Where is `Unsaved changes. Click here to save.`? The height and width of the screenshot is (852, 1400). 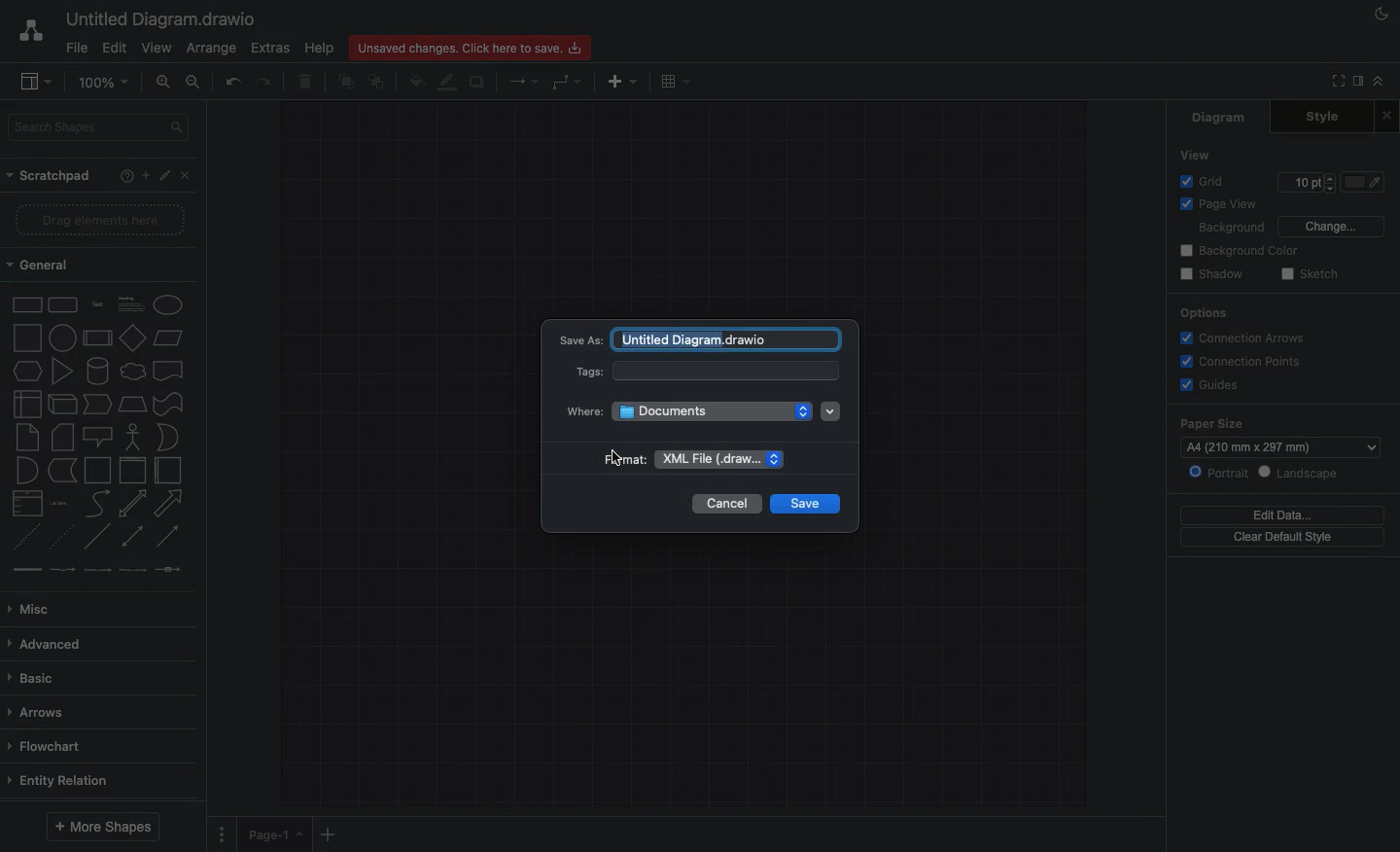
Unsaved changes. Click here to save. is located at coordinates (470, 47).